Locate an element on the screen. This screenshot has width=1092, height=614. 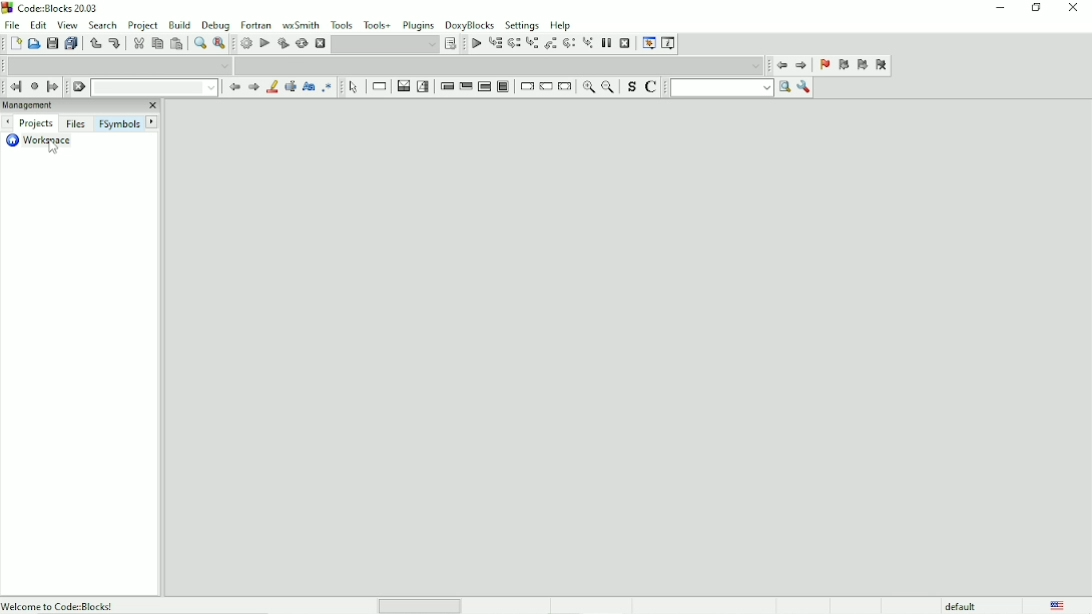
Next line is located at coordinates (514, 44).